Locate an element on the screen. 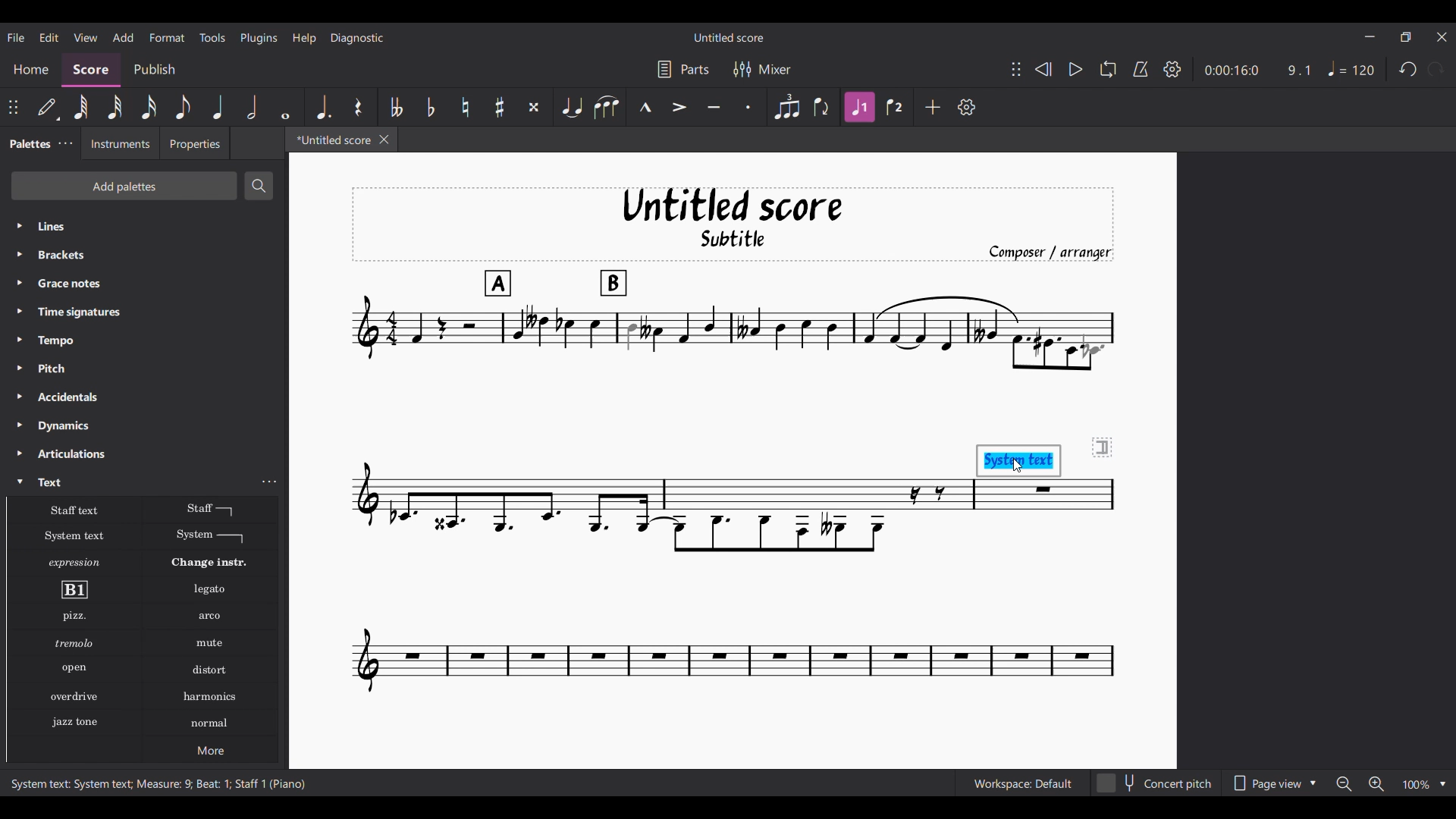 The width and height of the screenshot is (1456, 819). Settings is located at coordinates (1172, 69).